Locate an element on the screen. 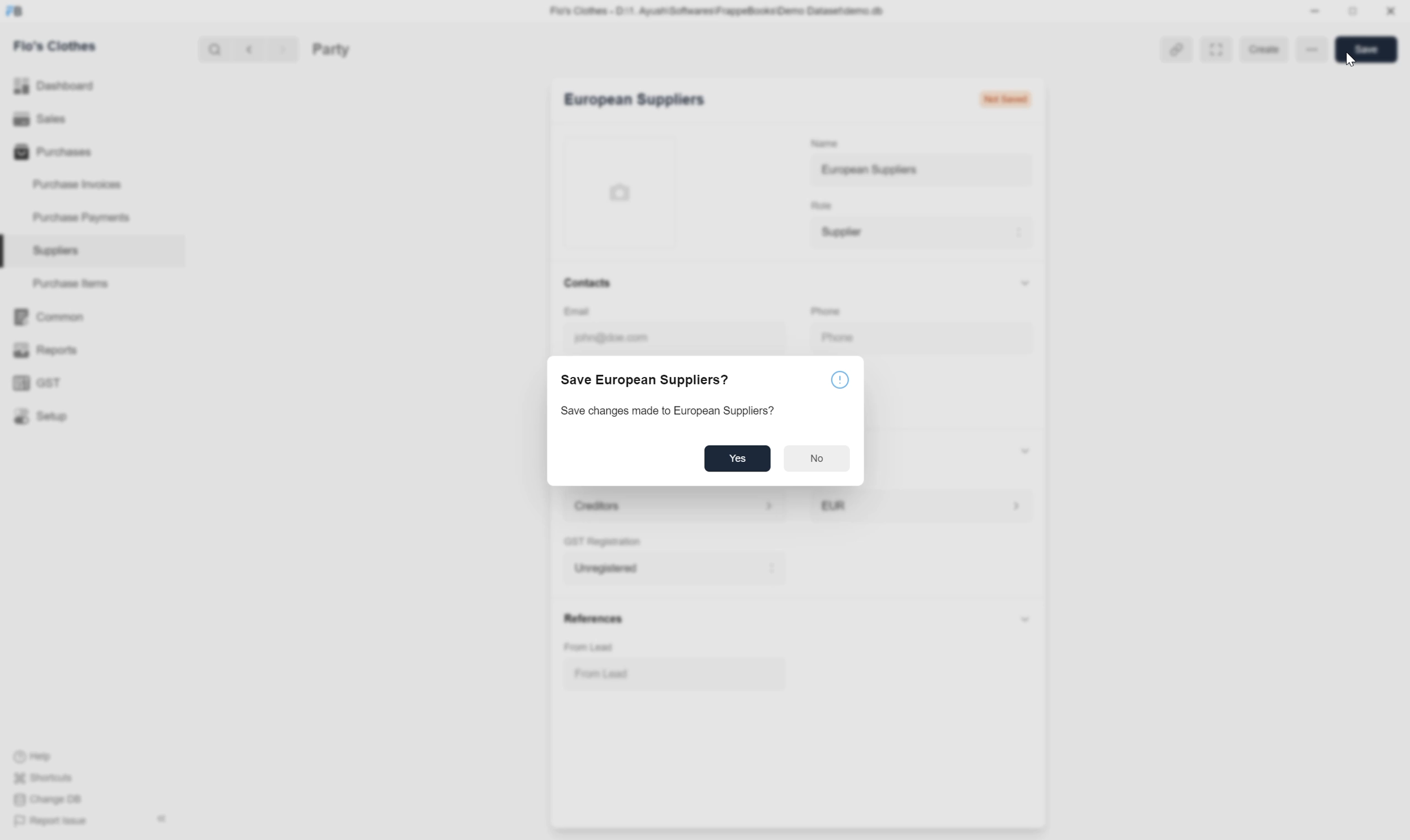 The image size is (1410, 840). Save European Suppliers? is located at coordinates (646, 381).